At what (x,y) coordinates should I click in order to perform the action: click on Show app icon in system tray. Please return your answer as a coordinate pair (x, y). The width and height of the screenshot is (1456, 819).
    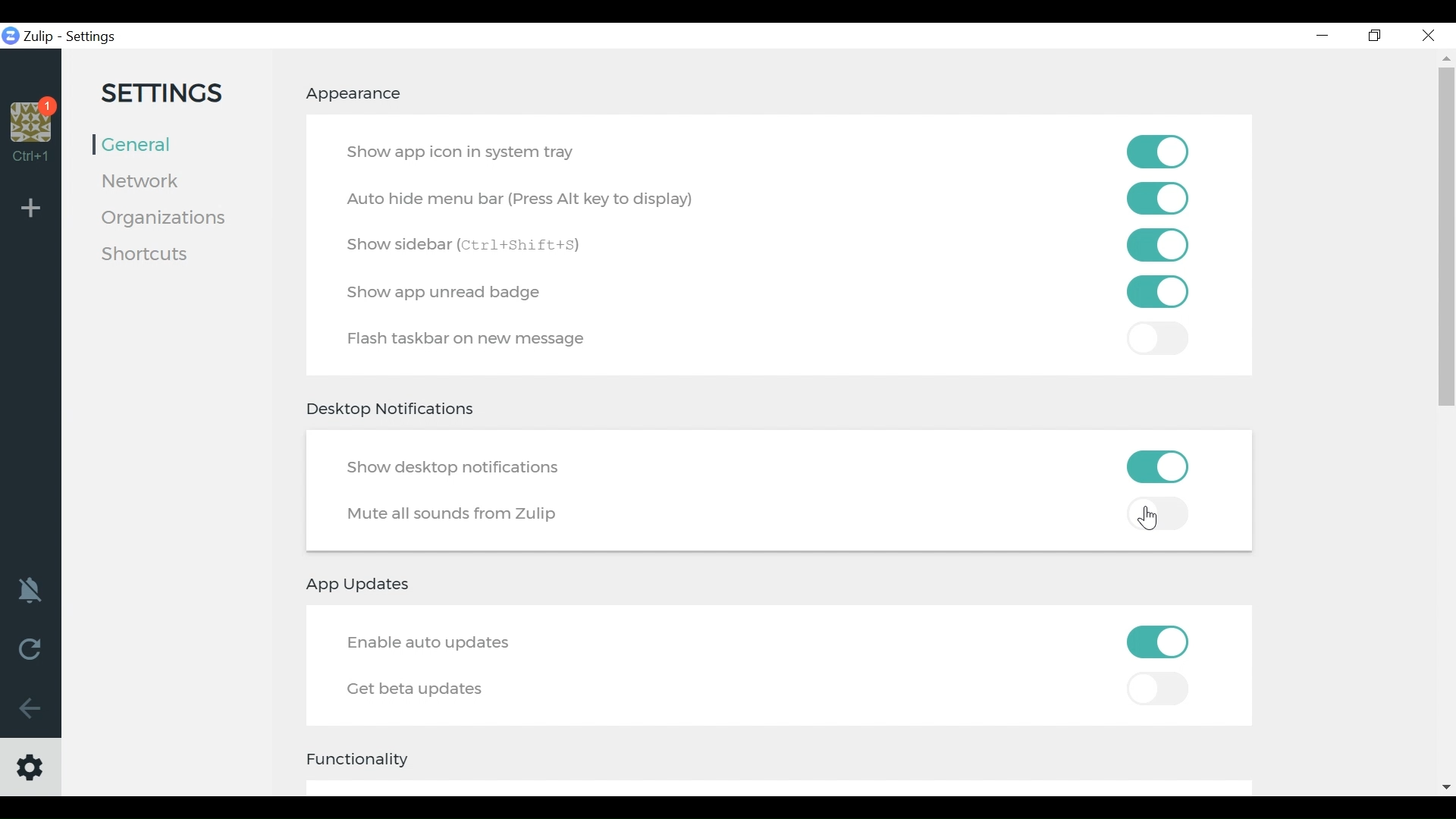
    Looking at the image, I should click on (466, 151).